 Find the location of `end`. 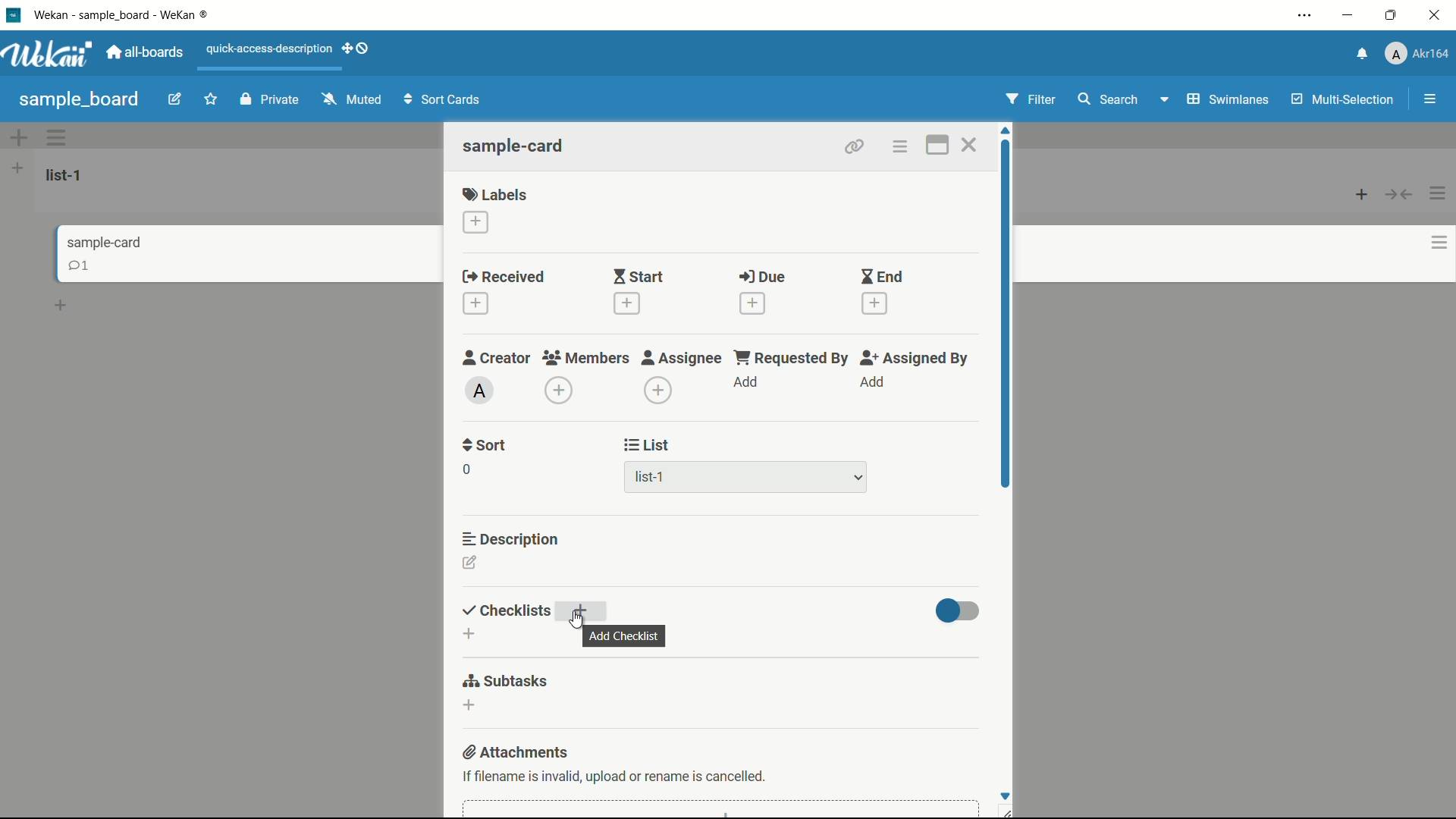

end is located at coordinates (882, 277).